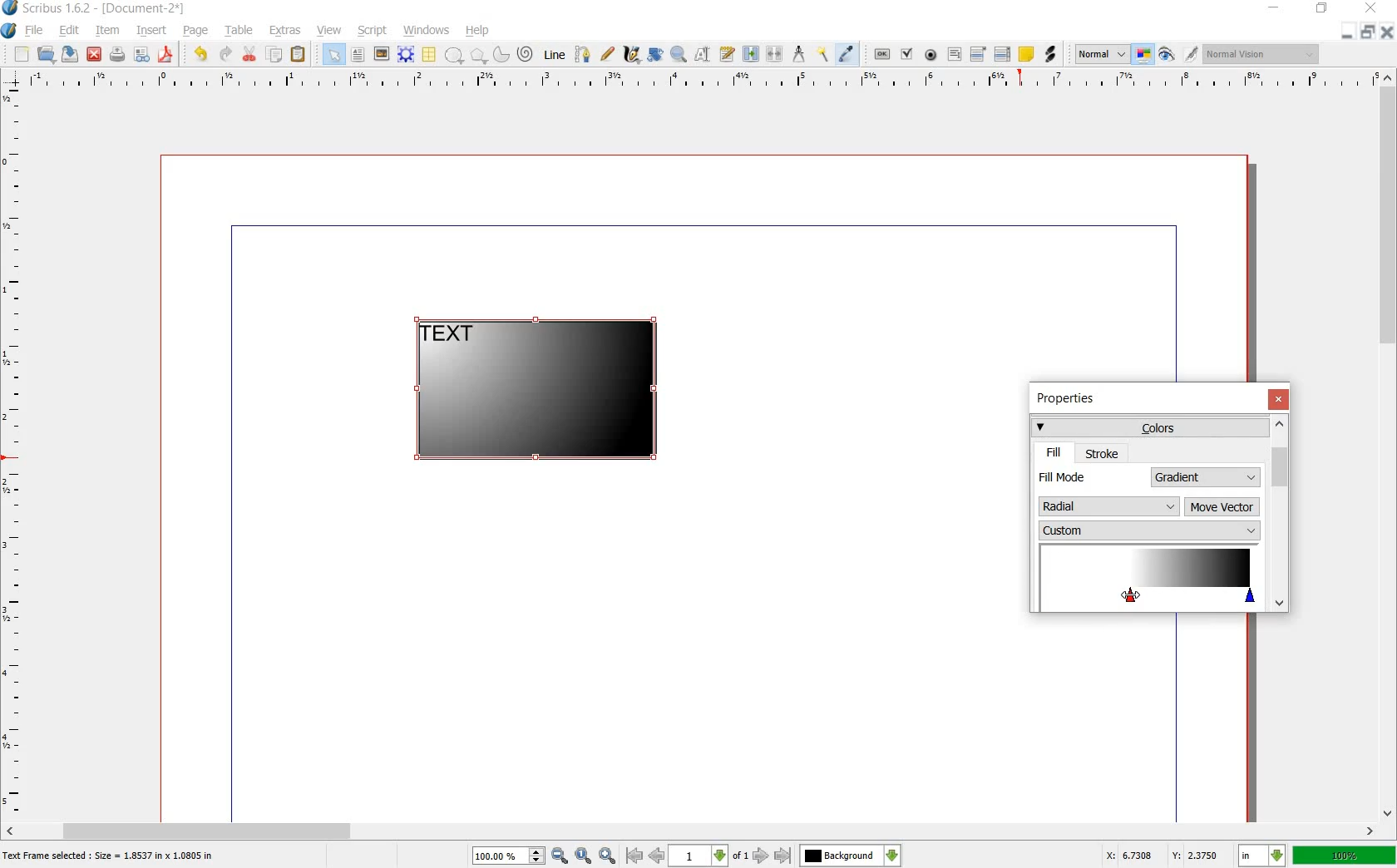  What do you see at coordinates (607, 53) in the screenshot?
I see `freehand line` at bounding box center [607, 53].